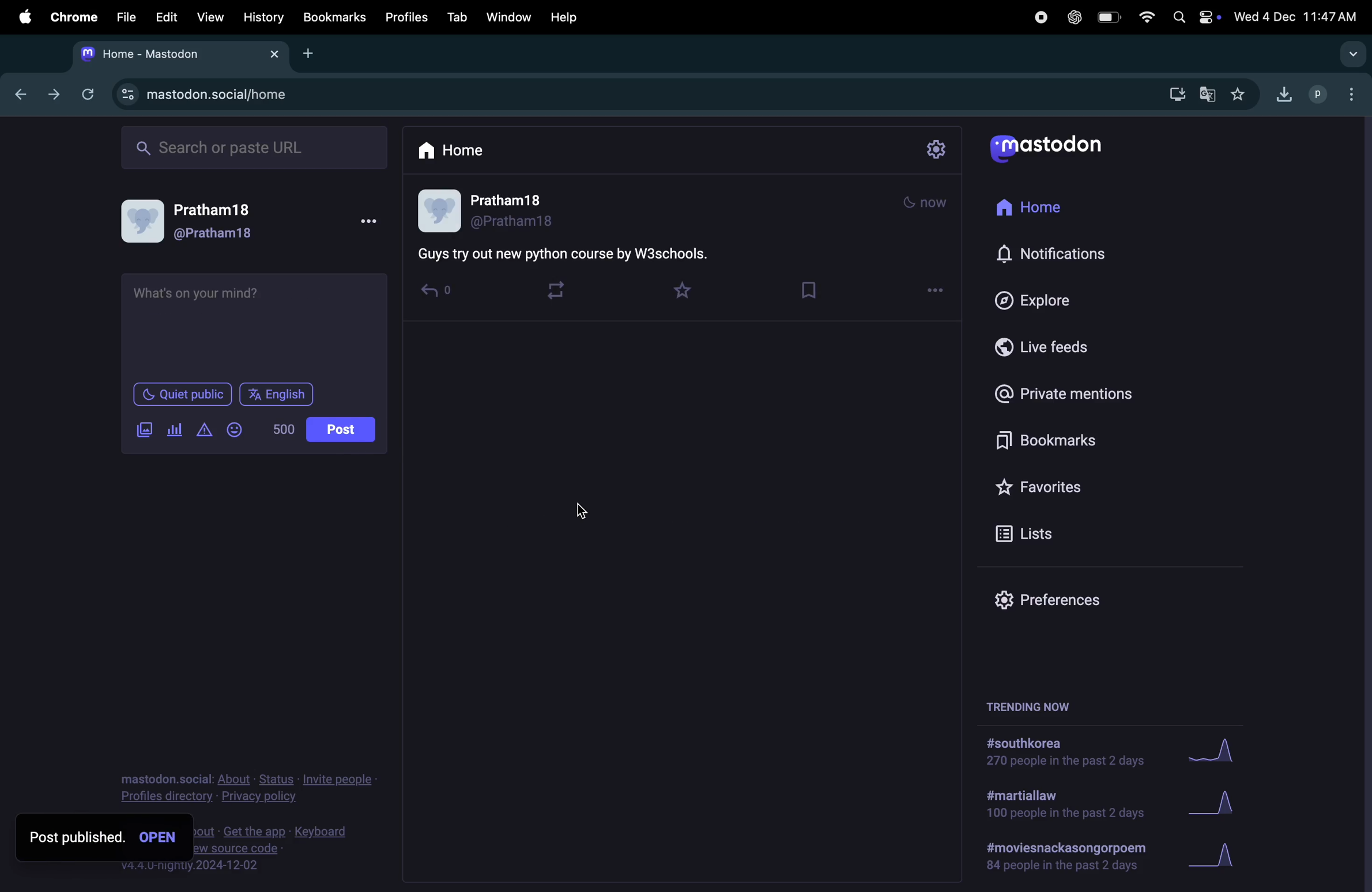  What do you see at coordinates (1211, 93) in the screenshot?
I see `translate` at bounding box center [1211, 93].